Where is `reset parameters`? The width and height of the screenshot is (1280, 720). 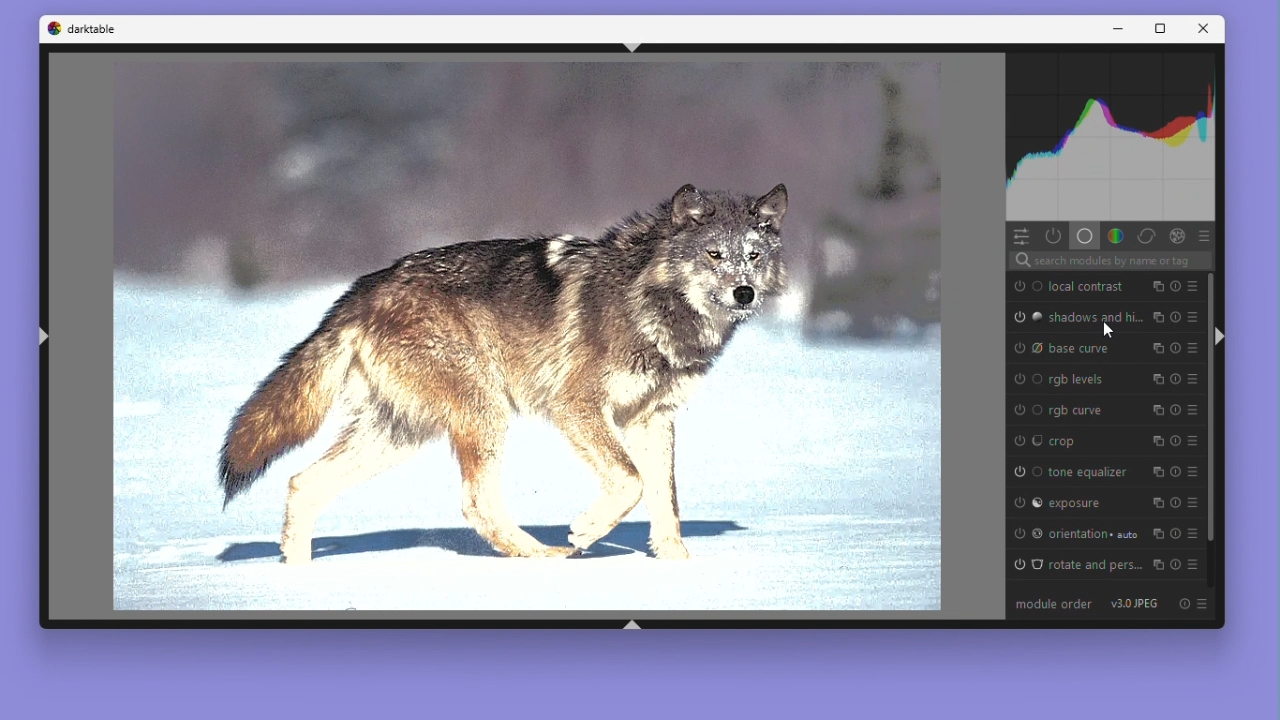 reset parameters is located at coordinates (1176, 532).